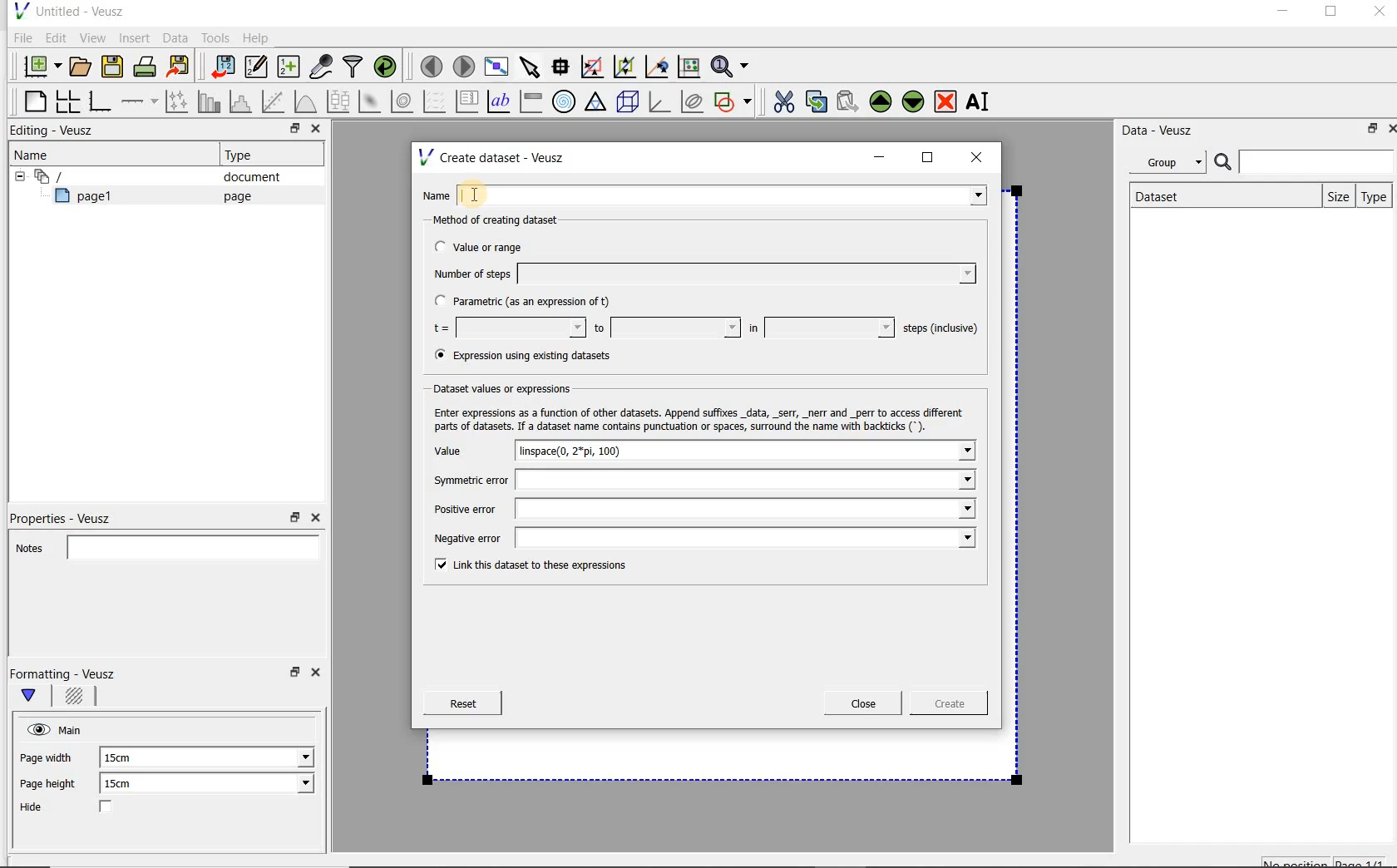  I want to click on Page height, so click(53, 786).